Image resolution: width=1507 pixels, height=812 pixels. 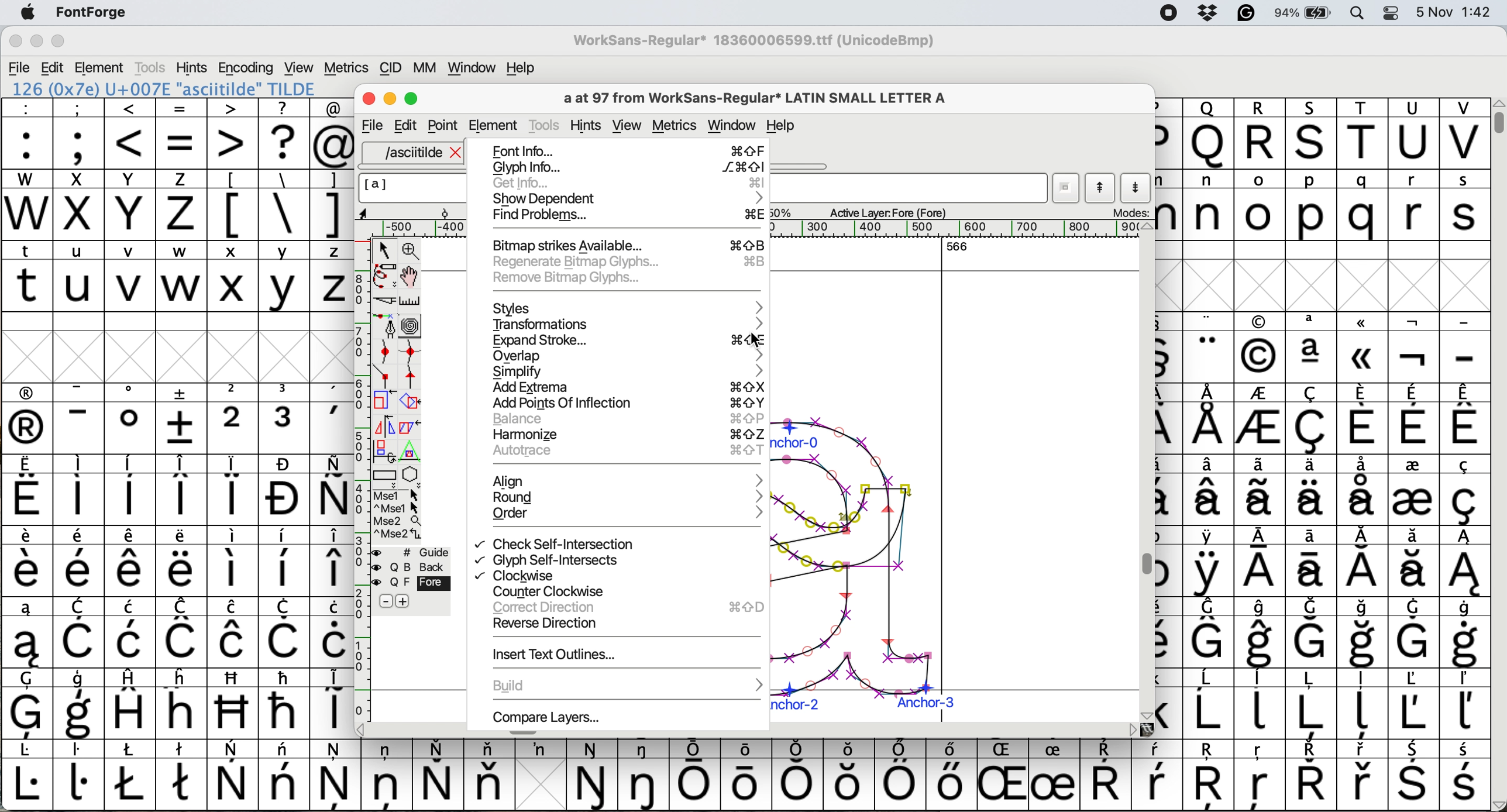 What do you see at coordinates (28, 419) in the screenshot?
I see `symbol` at bounding box center [28, 419].